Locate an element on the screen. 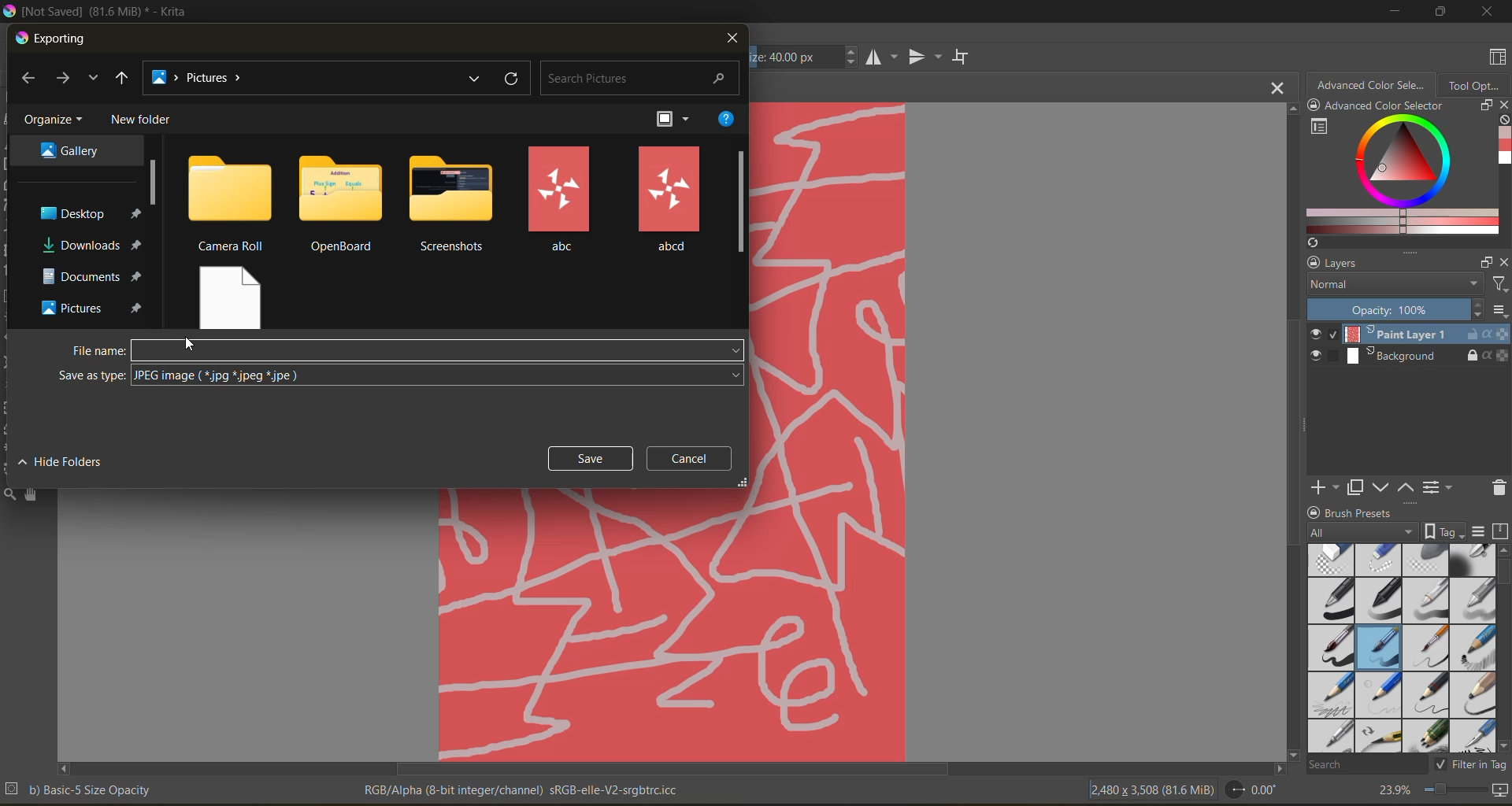 Image resolution: width=1512 pixels, height=806 pixels. folders is located at coordinates (342, 204).